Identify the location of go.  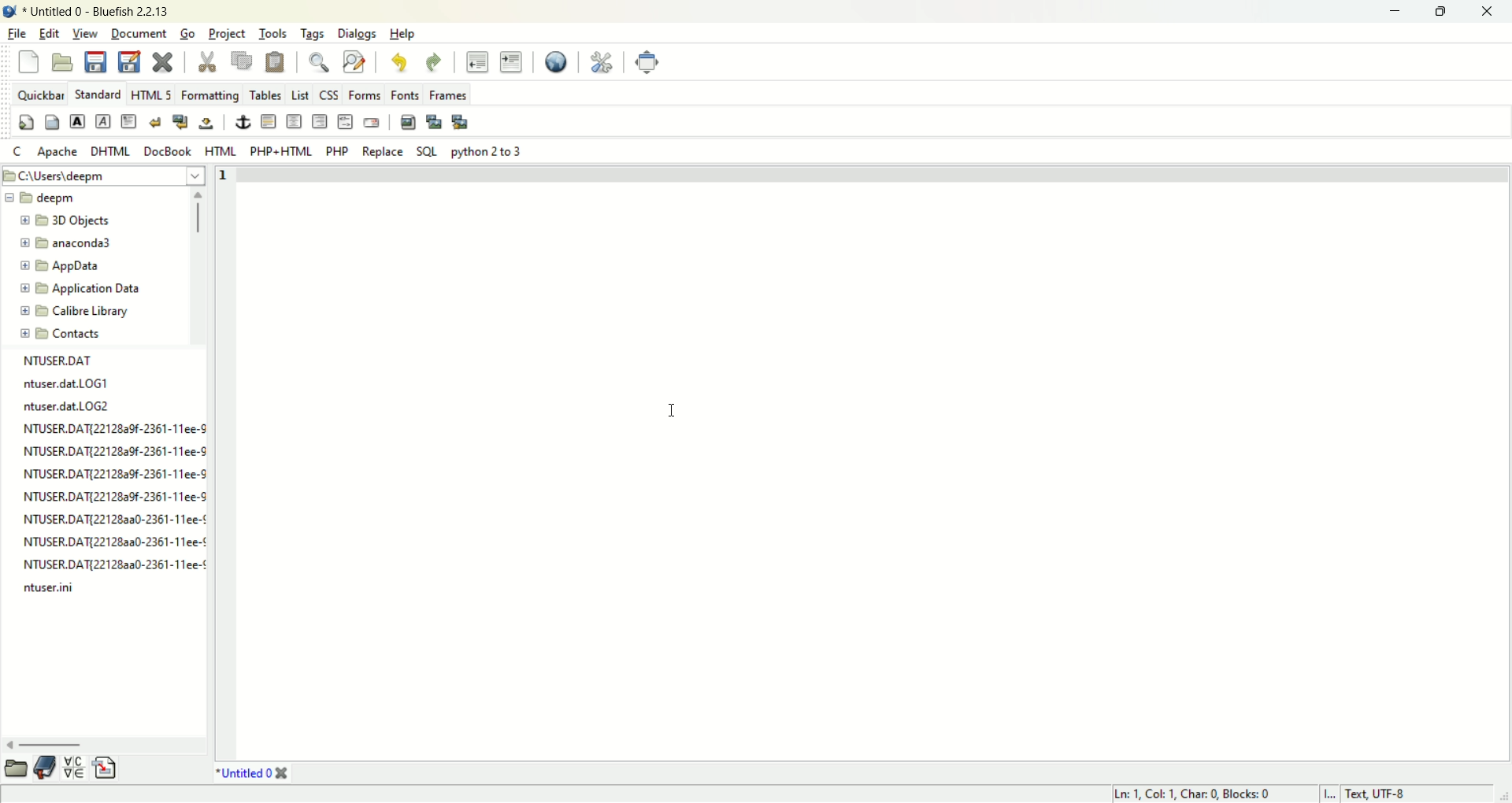
(187, 33).